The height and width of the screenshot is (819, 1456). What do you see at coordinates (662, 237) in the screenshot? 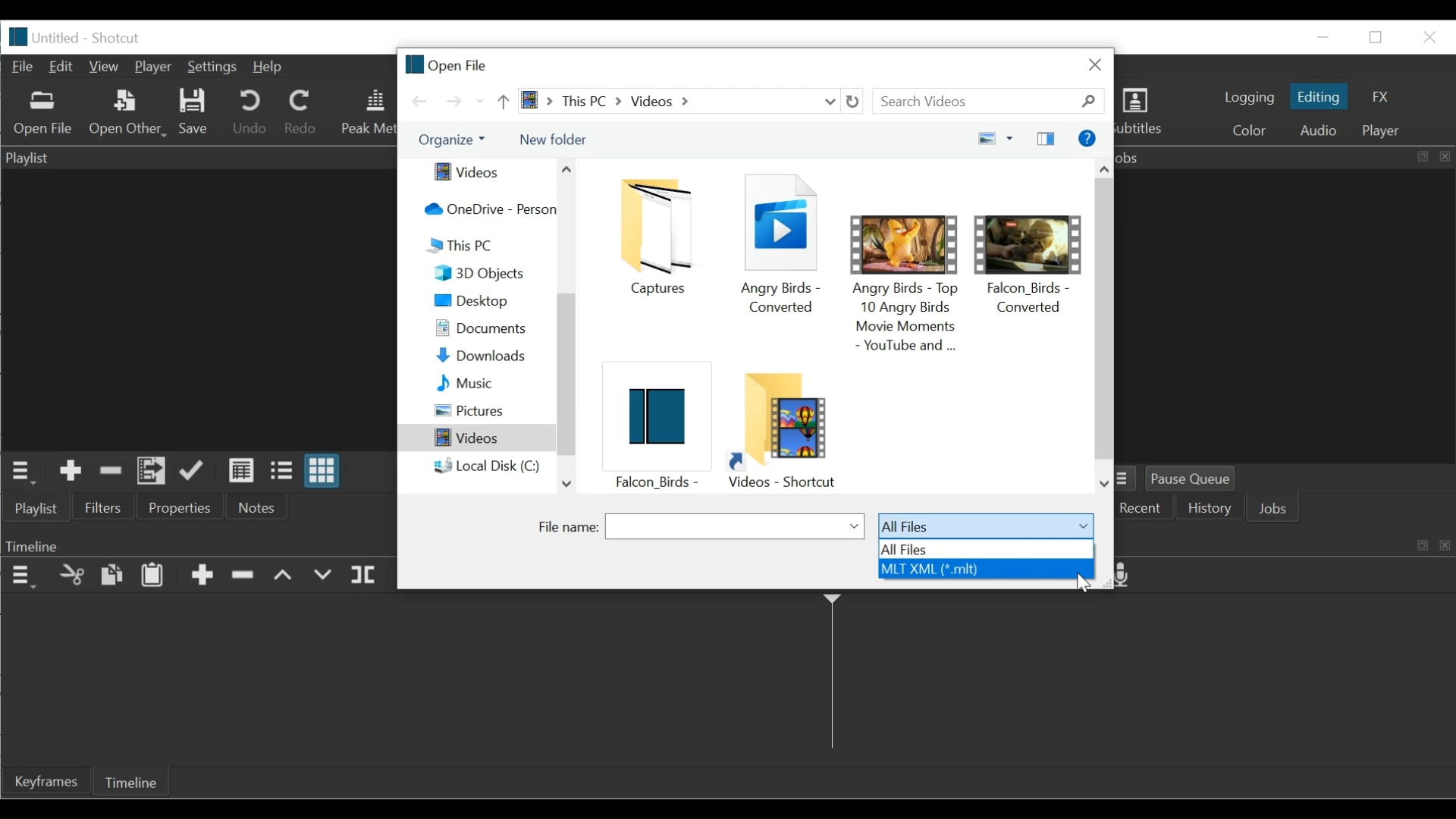
I see `Captures` at bounding box center [662, 237].